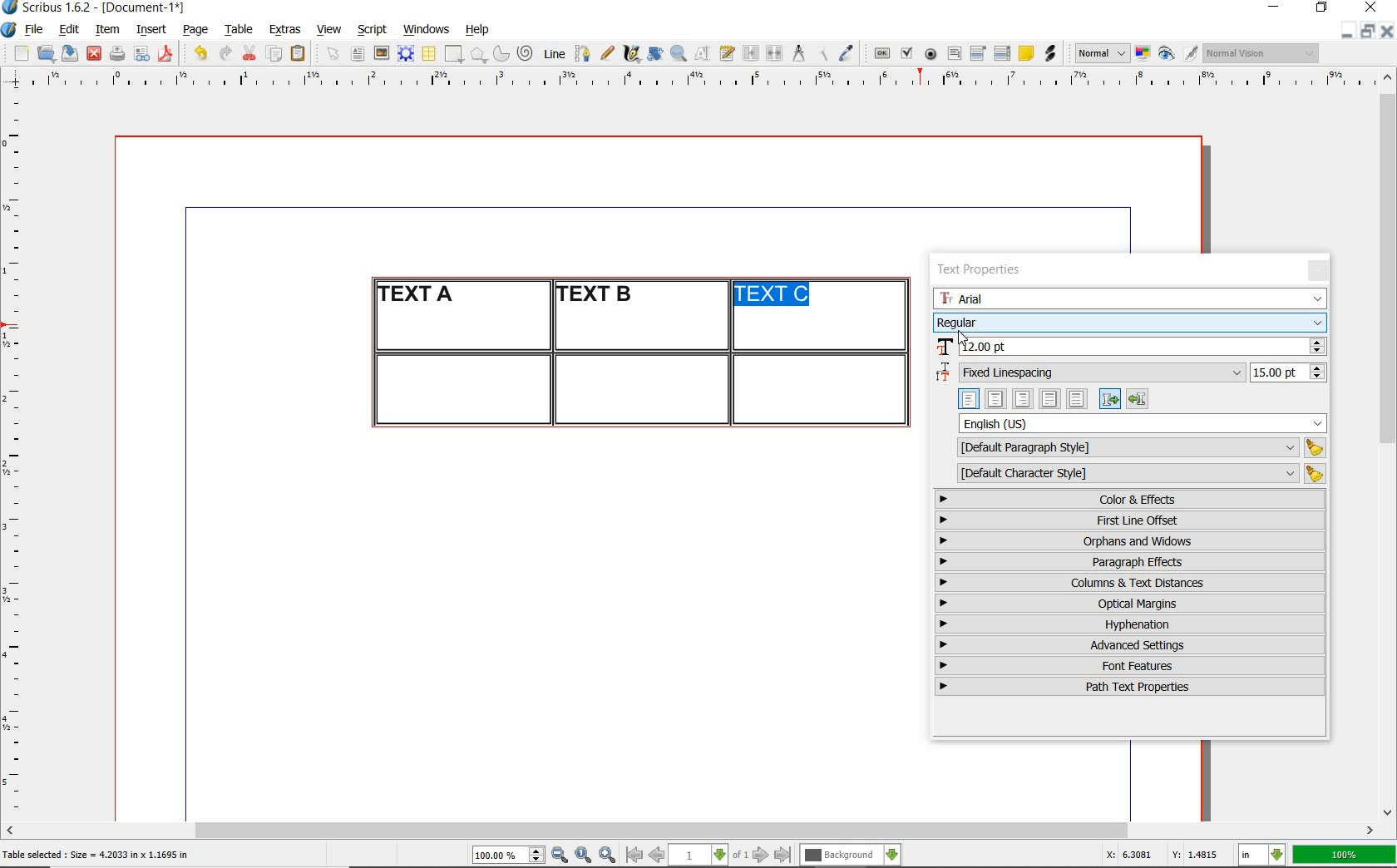 This screenshot has height=868, width=1397. Describe the element at coordinates (285, 31) in the screenshot. I see `extras` at that location.